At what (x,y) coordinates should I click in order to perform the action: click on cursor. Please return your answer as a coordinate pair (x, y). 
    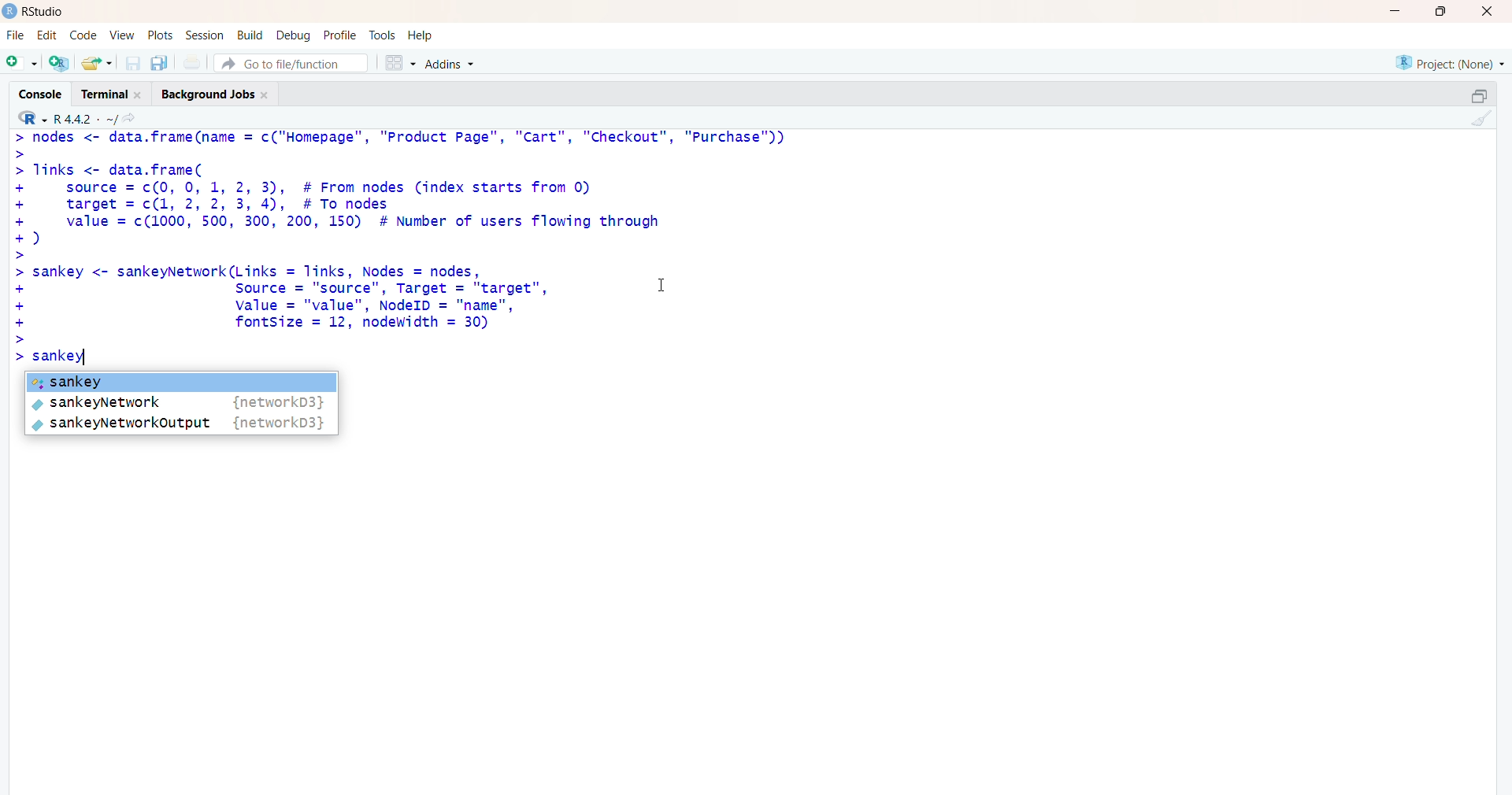
    Looking at the image, I should click on (660, 286).